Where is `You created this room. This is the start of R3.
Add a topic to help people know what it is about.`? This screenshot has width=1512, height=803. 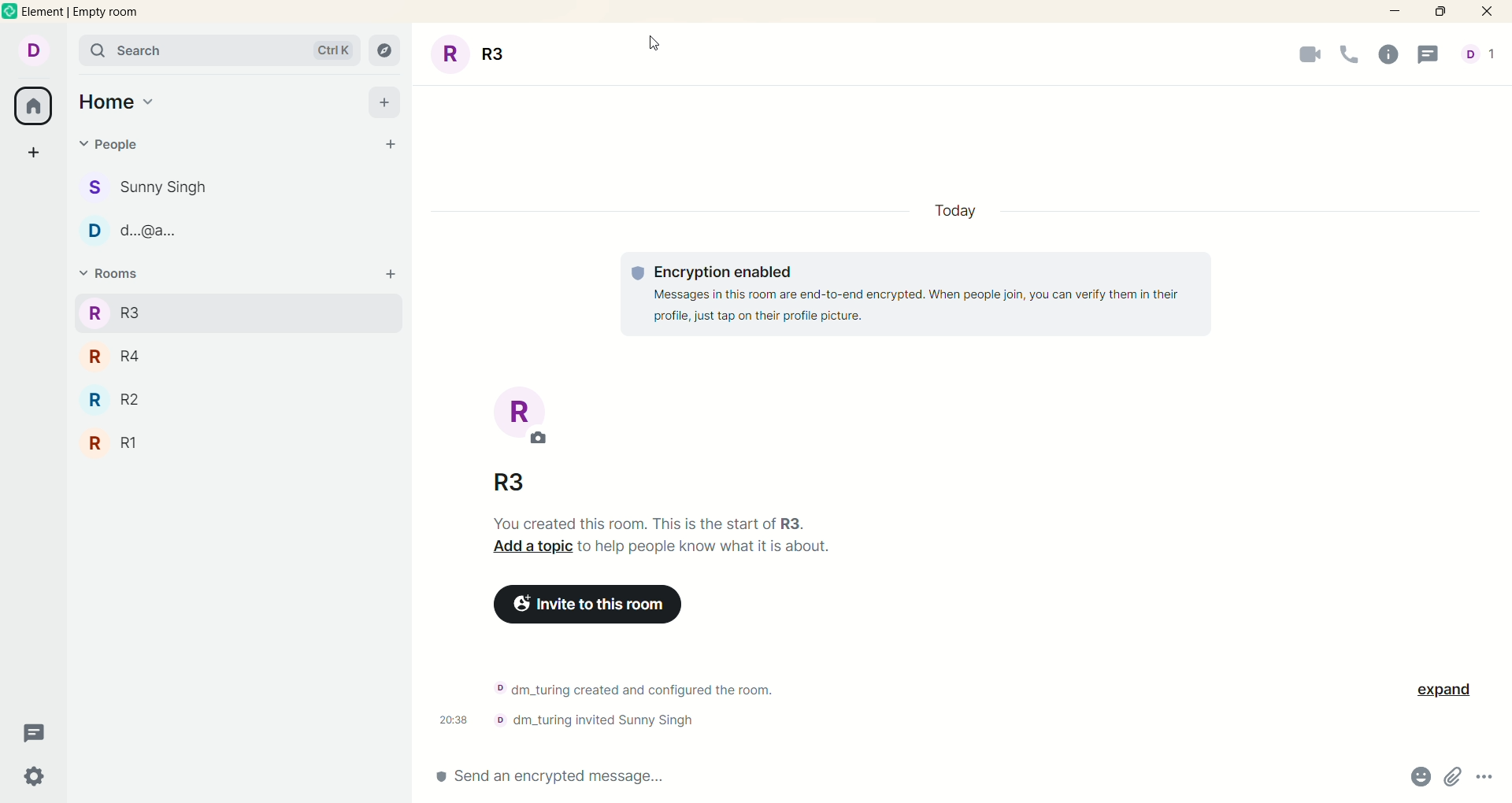
You created this room. This is the start of R3.
Add a topic to help people know what it is about. is located at coordinates (653, 535).